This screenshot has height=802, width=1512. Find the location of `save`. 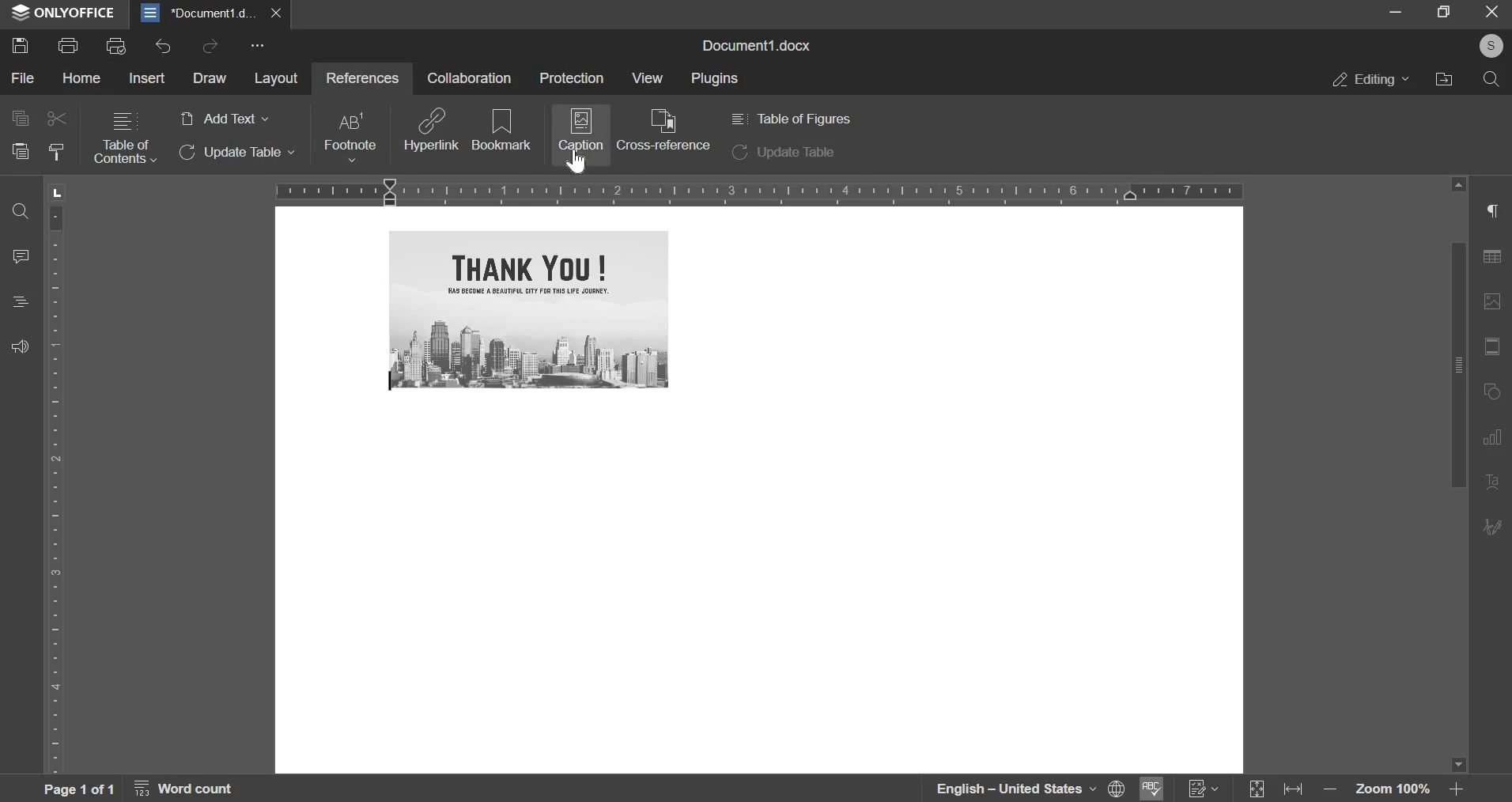

save is located at coordinates (19, 44).